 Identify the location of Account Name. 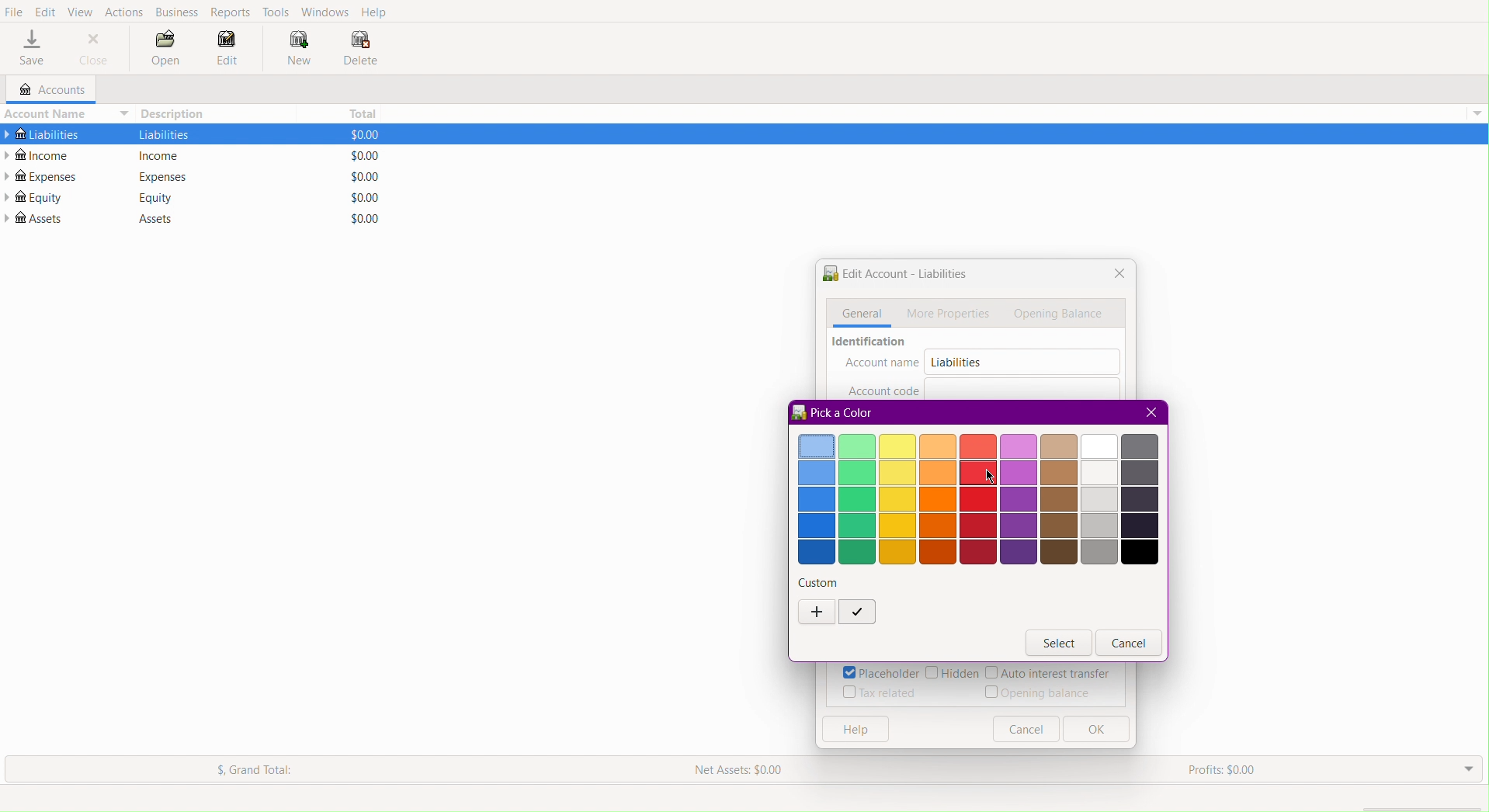
(65, 113).